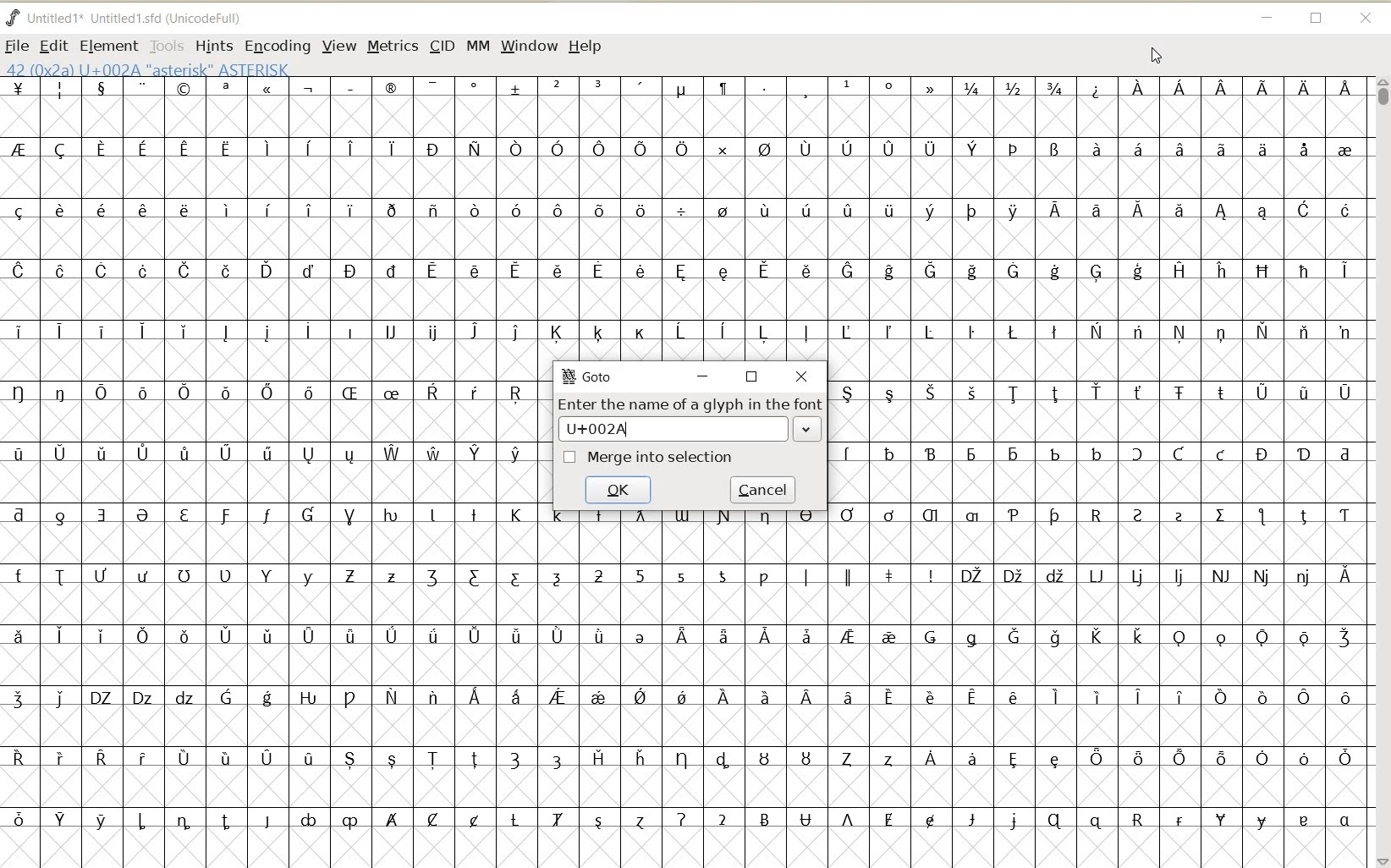 The height and width of the screenshot is (868, 1391). What do you see at coordinates (54, 45) in the screenshot?
I see `EDIT` at bounding box center [54, 45].